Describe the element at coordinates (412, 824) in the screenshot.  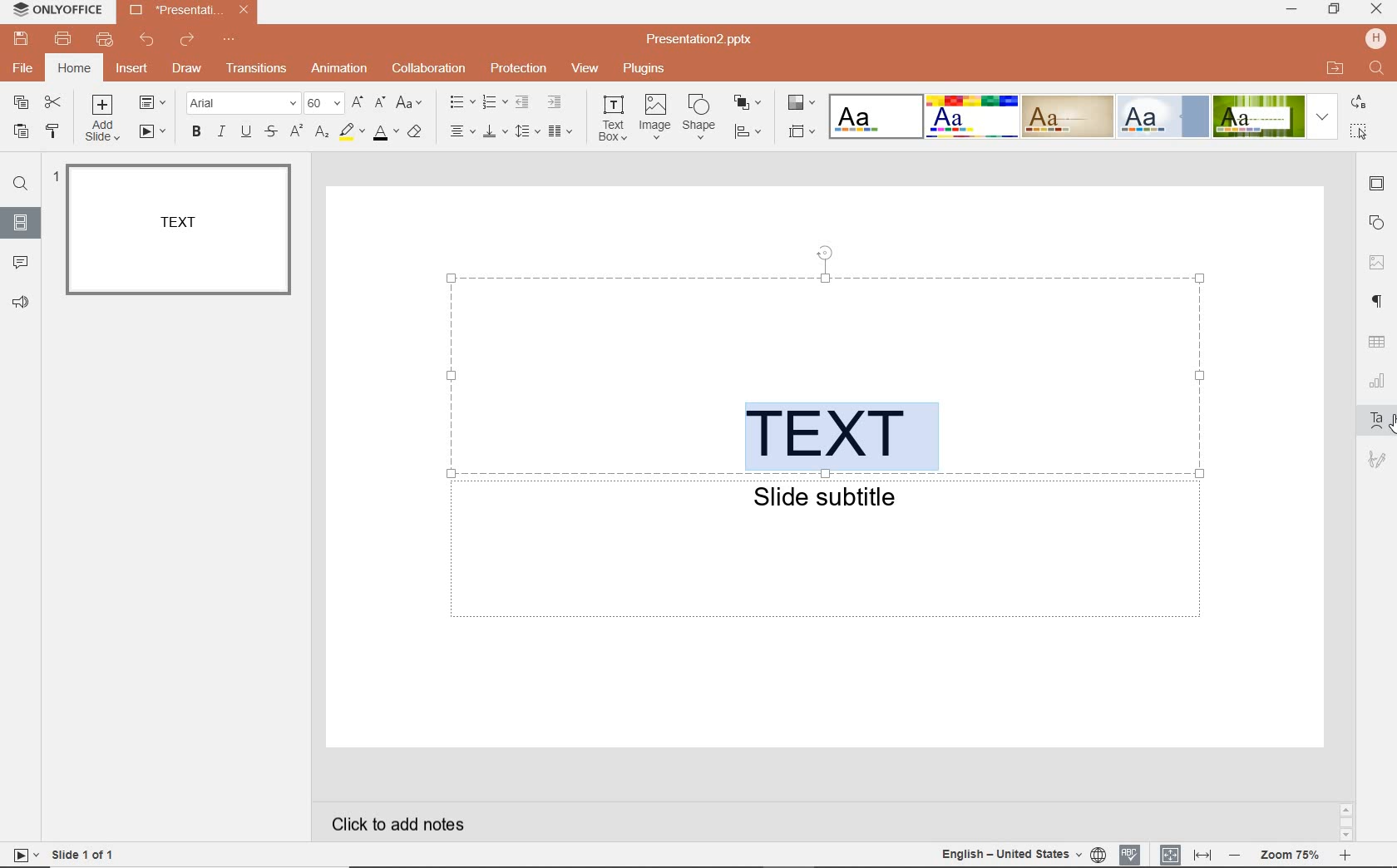
I see `CLICK TO ADD NOTES` at that location.